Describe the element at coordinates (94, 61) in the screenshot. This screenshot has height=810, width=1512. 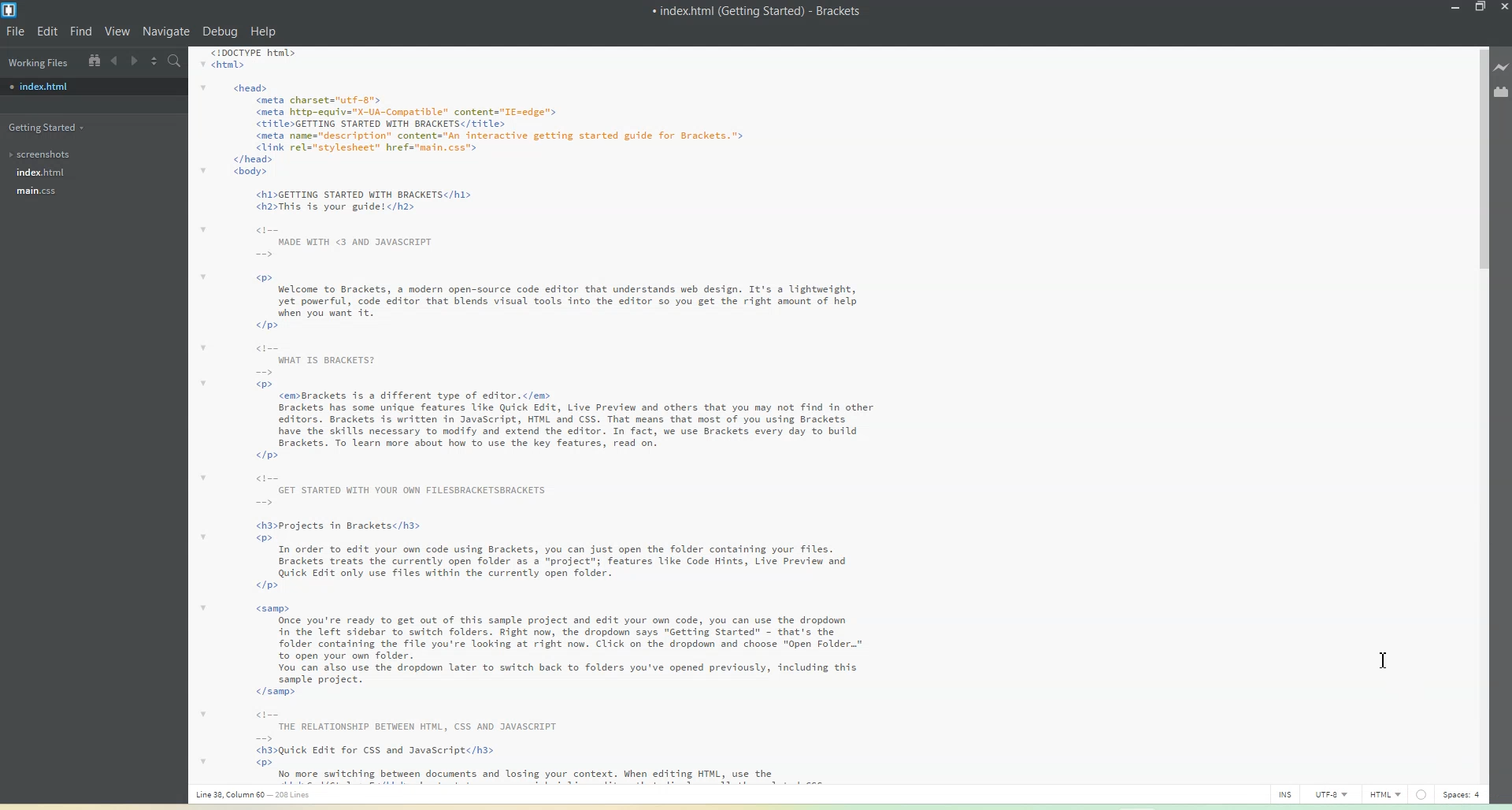
I see `Show in file Tree` at that location.